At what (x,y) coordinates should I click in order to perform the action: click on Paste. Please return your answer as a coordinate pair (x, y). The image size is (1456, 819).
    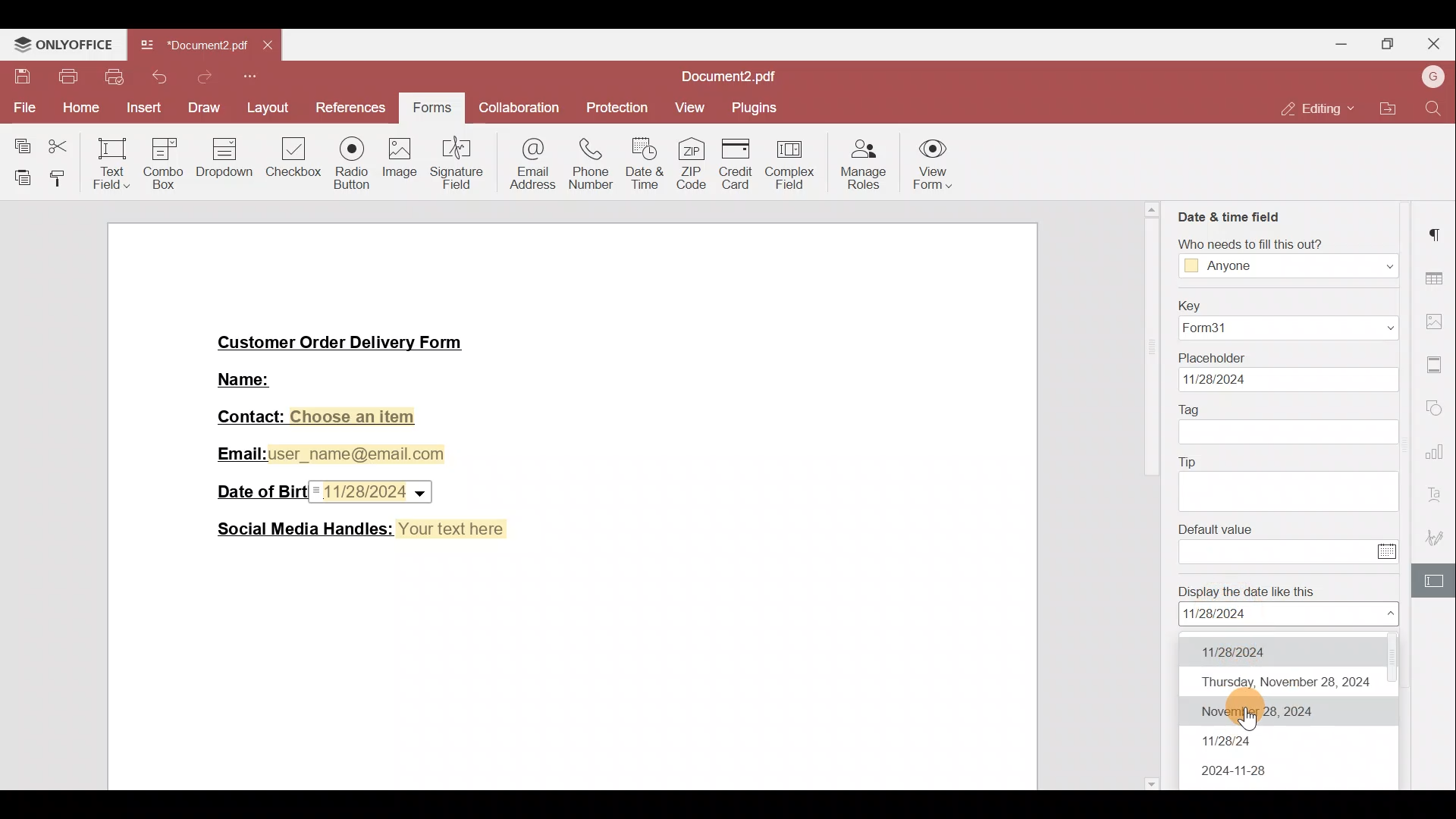
    Looking at the image, I should click on (18, 174).